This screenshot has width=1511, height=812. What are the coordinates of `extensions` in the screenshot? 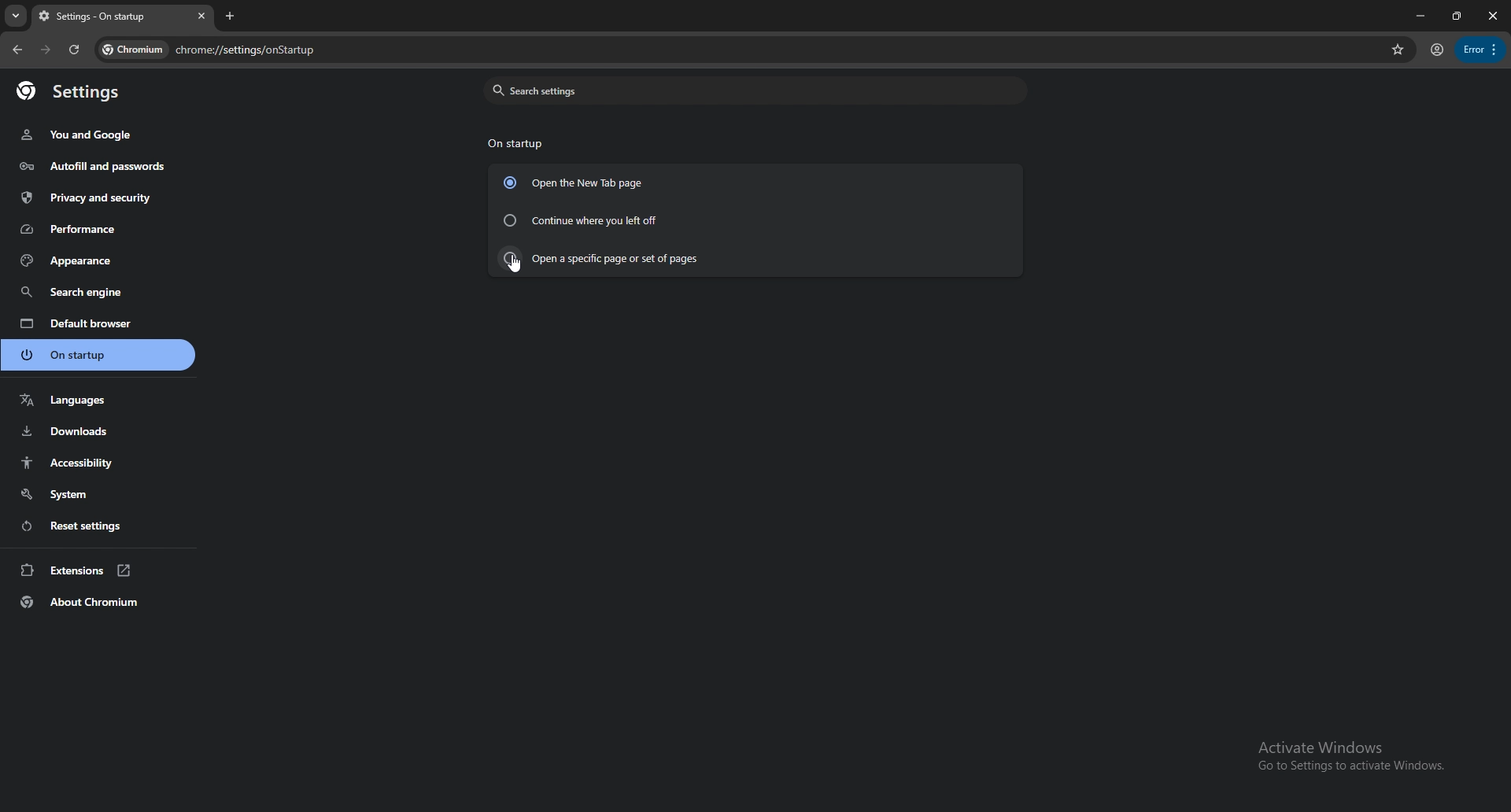 It's located at (99, 570).